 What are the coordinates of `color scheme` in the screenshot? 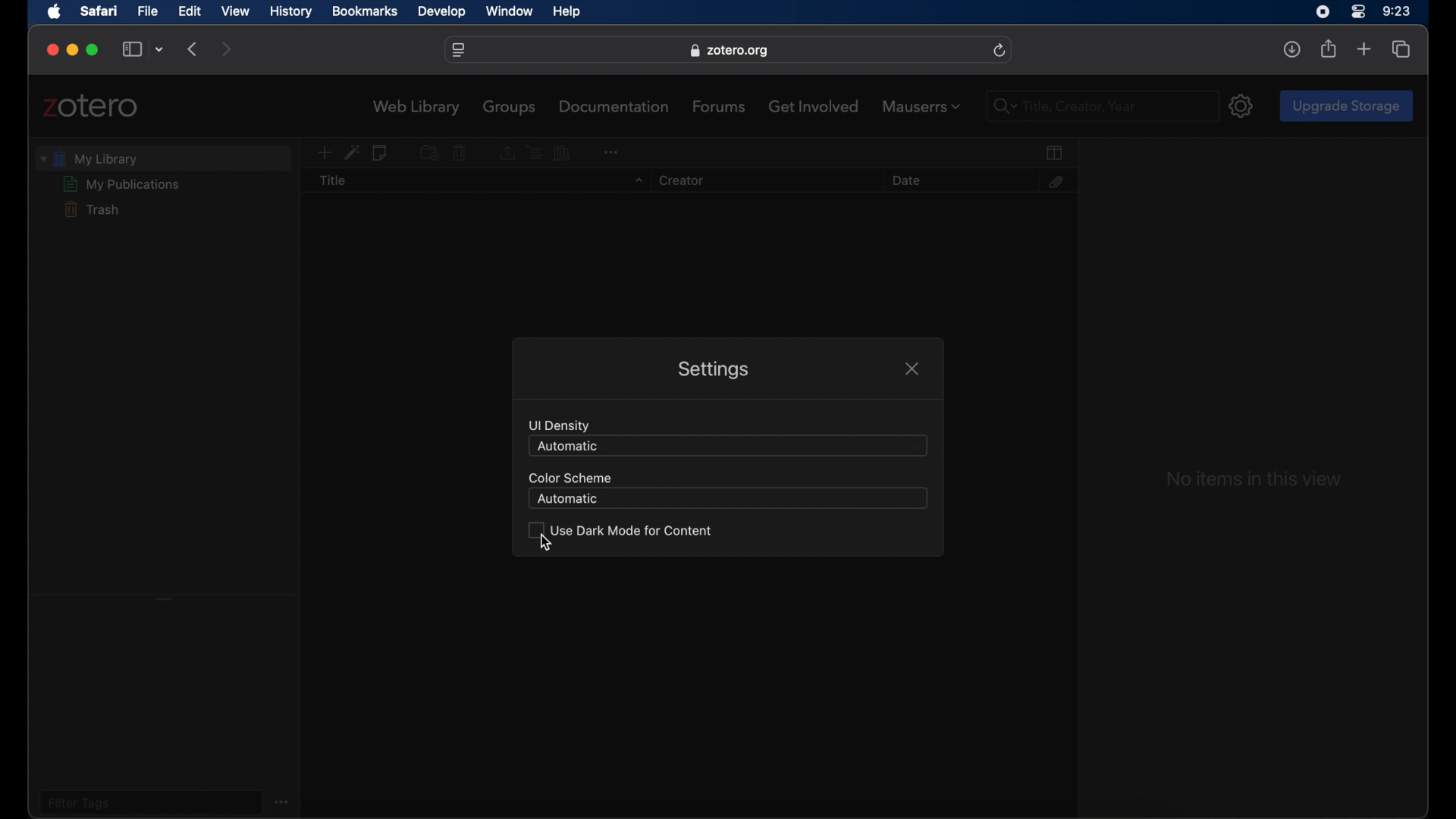 It's located at (568, 477).